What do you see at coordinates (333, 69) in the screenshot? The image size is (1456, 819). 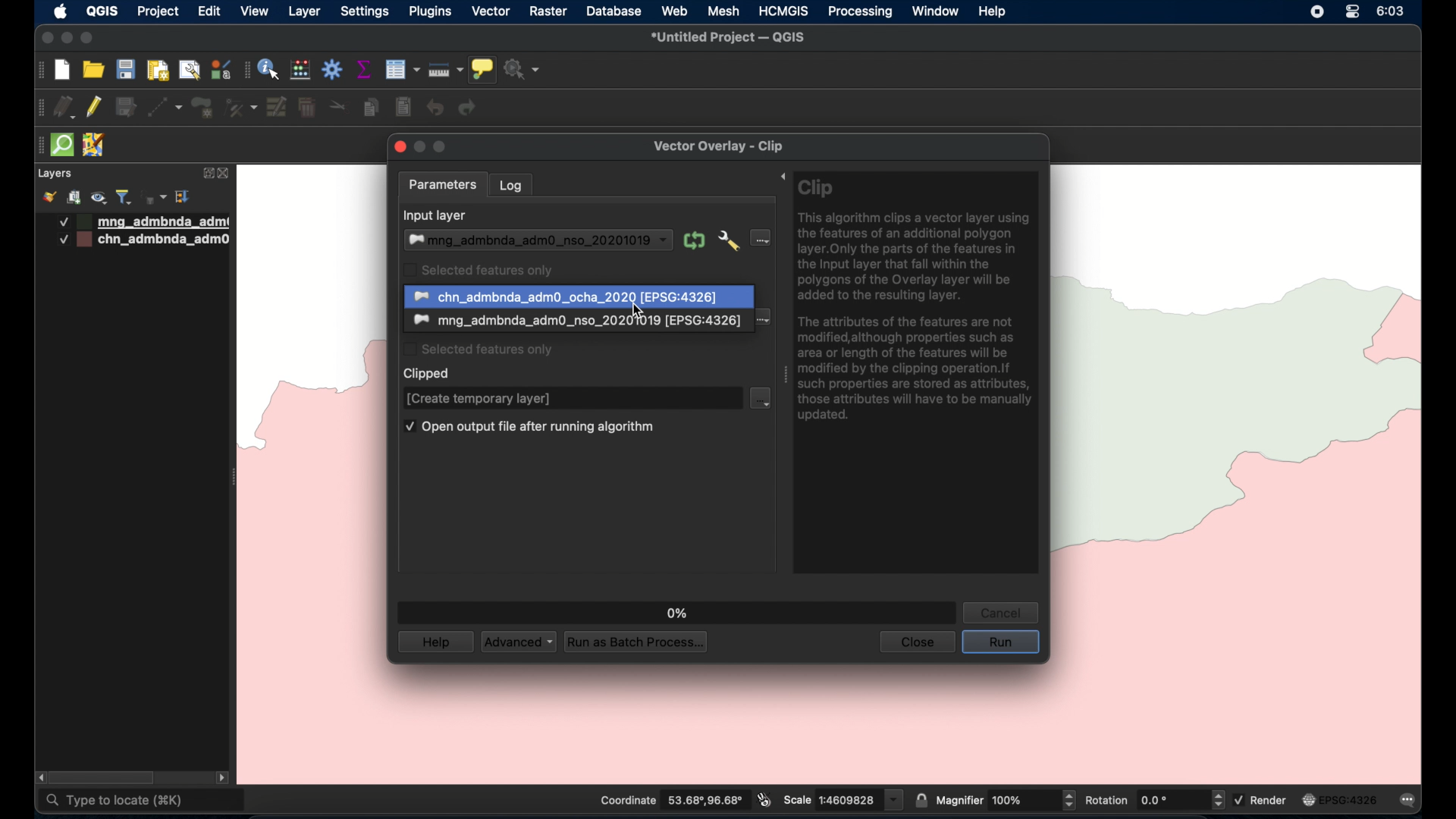 I see `toolbox` at bounding box center [333, 69].